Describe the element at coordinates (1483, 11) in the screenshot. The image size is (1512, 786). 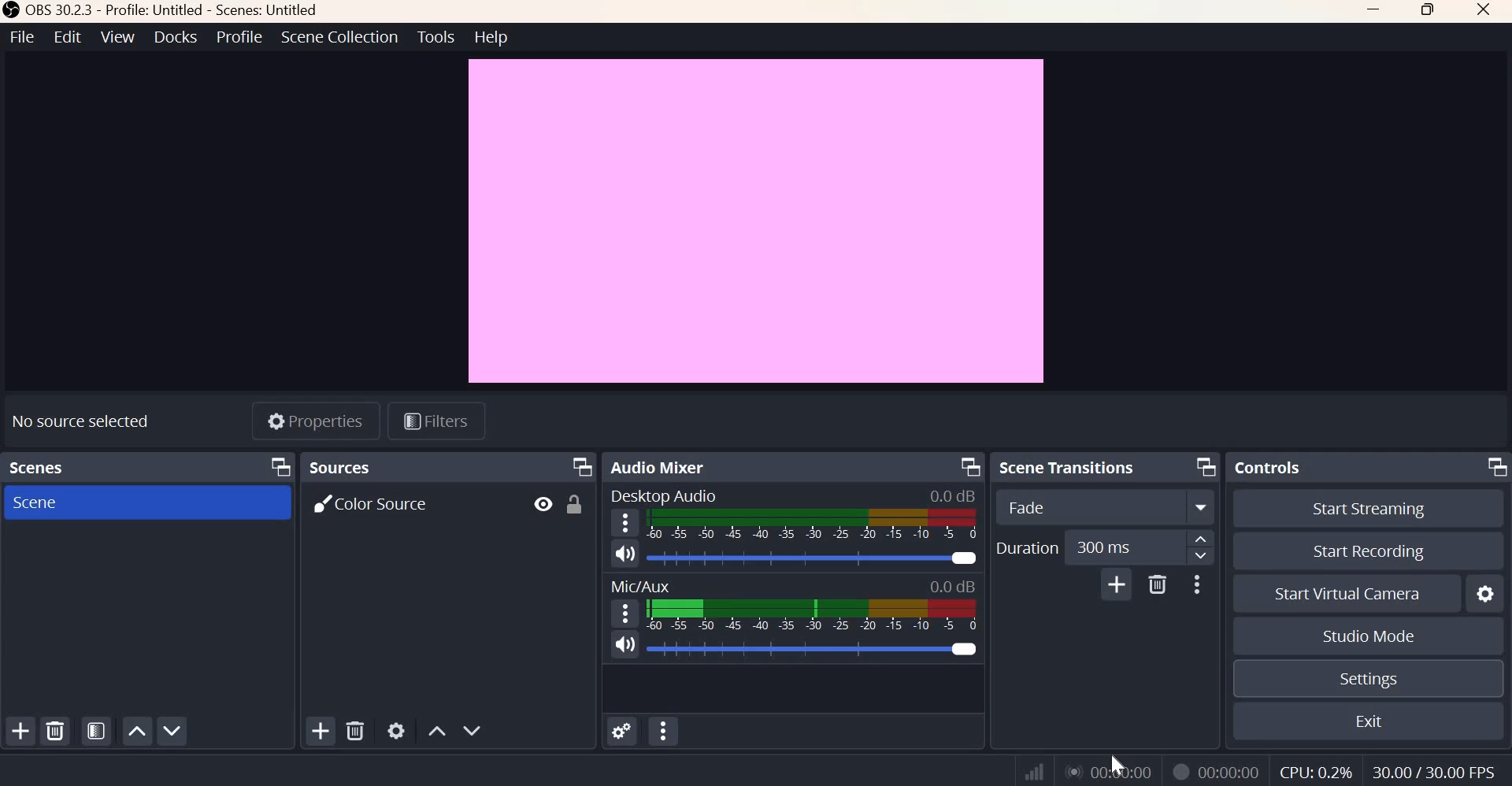
I see `close` at that location.